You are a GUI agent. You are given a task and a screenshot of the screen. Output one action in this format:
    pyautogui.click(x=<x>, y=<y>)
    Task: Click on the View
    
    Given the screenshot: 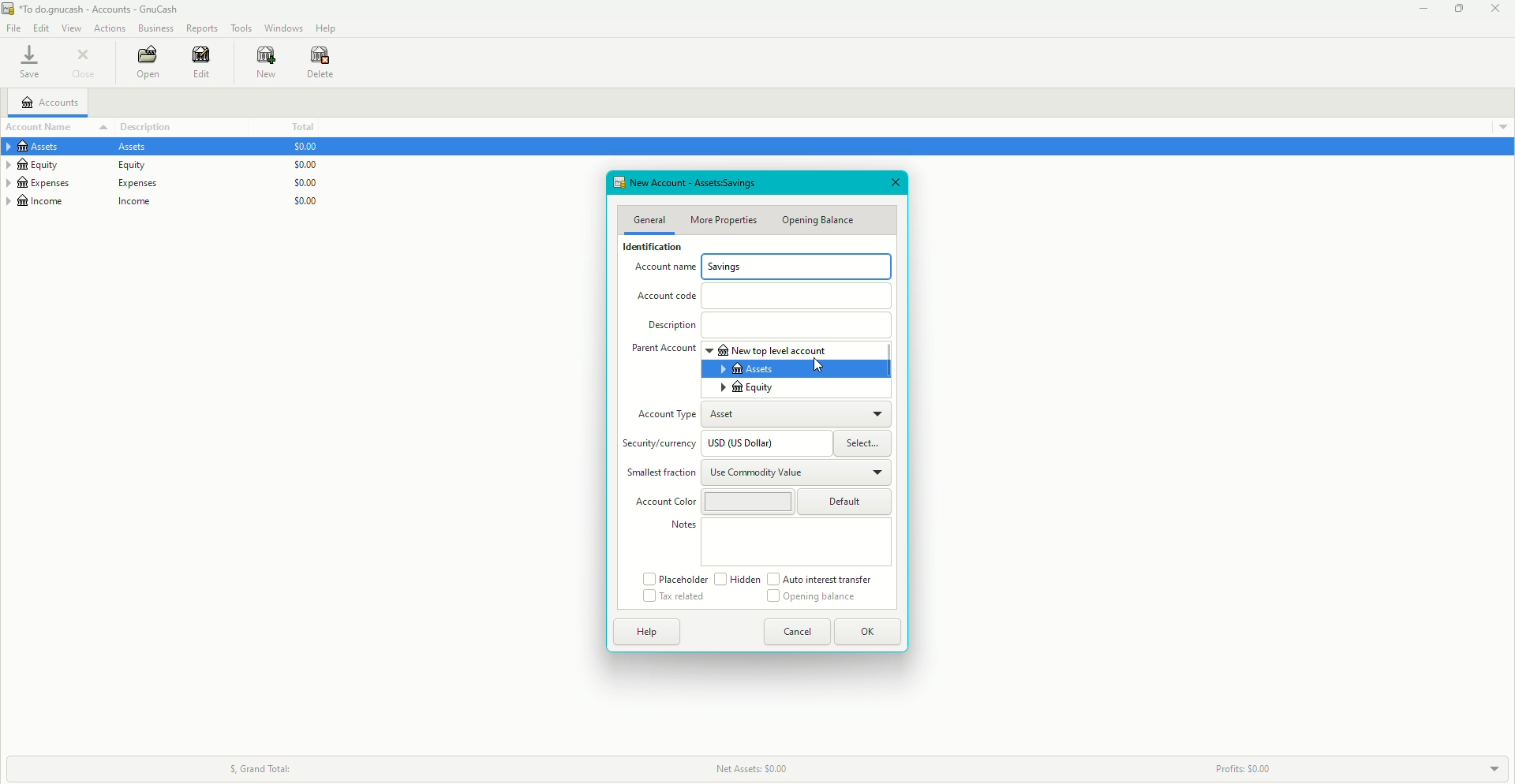 What is the action you would take?
    pyautogui.click(x=73, y=28)
    